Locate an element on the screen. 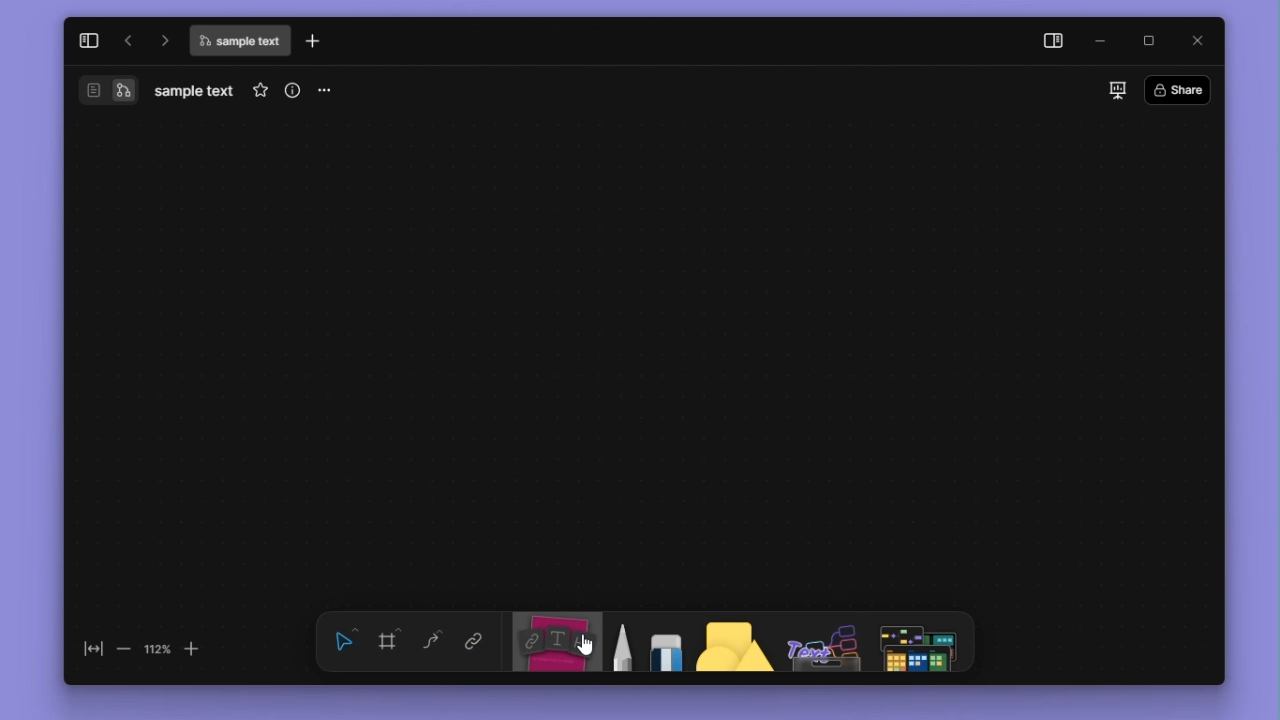 The image size is (1280, 720). switch is located at coordinates (123, 90).